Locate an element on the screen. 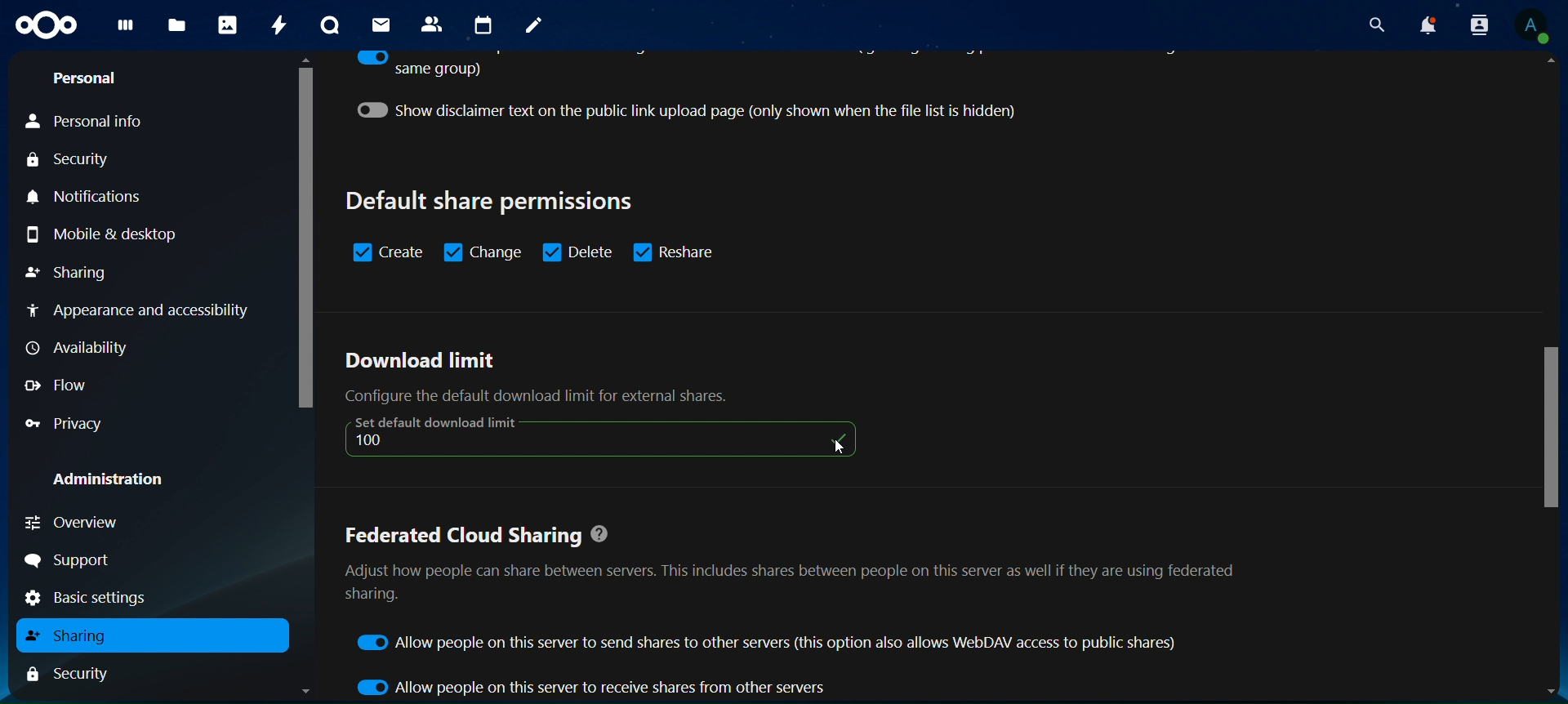  calendar is located at coordinates (483, 25).